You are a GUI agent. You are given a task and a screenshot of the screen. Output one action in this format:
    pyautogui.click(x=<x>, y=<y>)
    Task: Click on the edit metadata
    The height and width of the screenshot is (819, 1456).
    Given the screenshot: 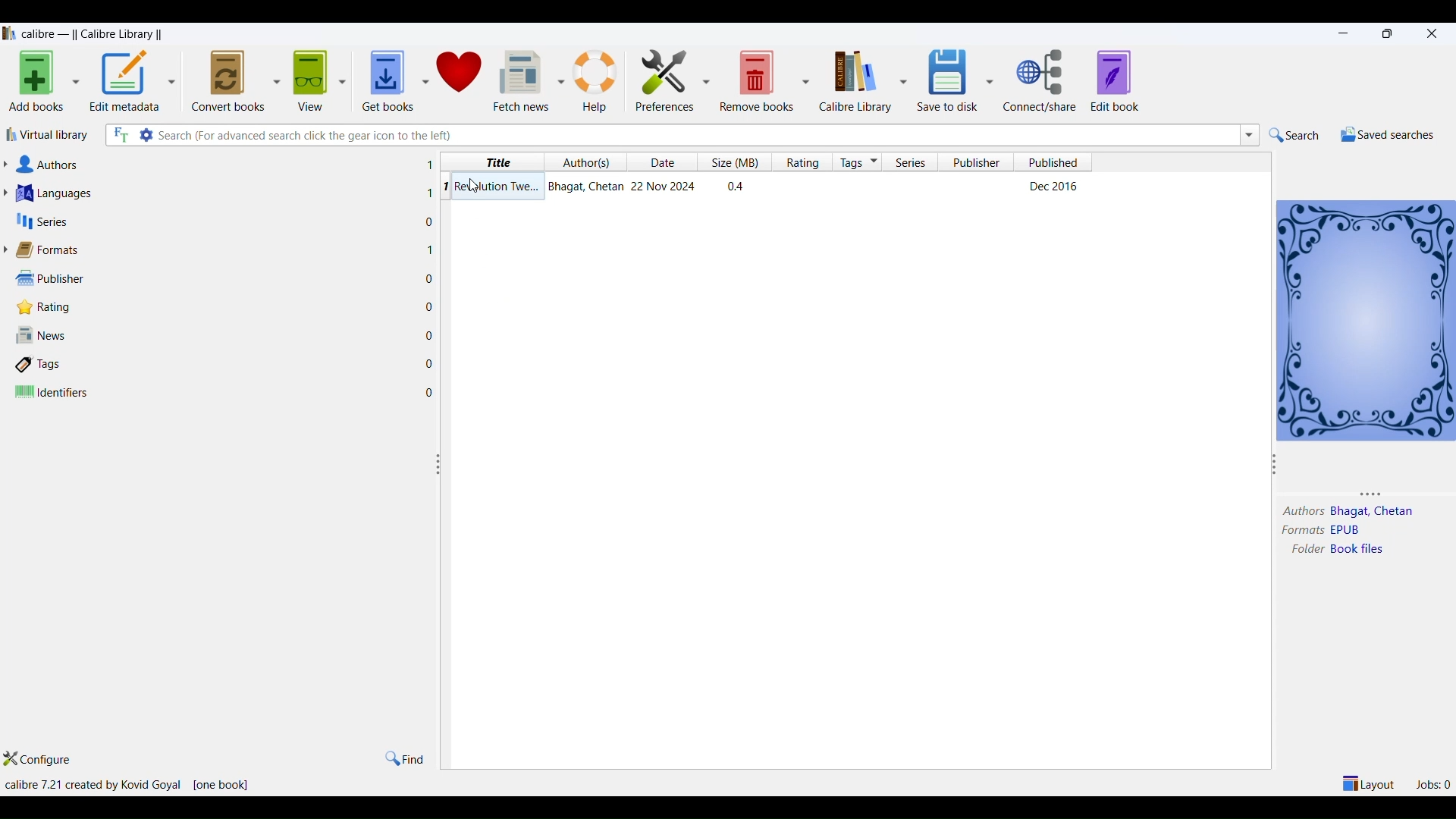 What is the action you would take?
    pyautogui.click(x=126, y=80)
    